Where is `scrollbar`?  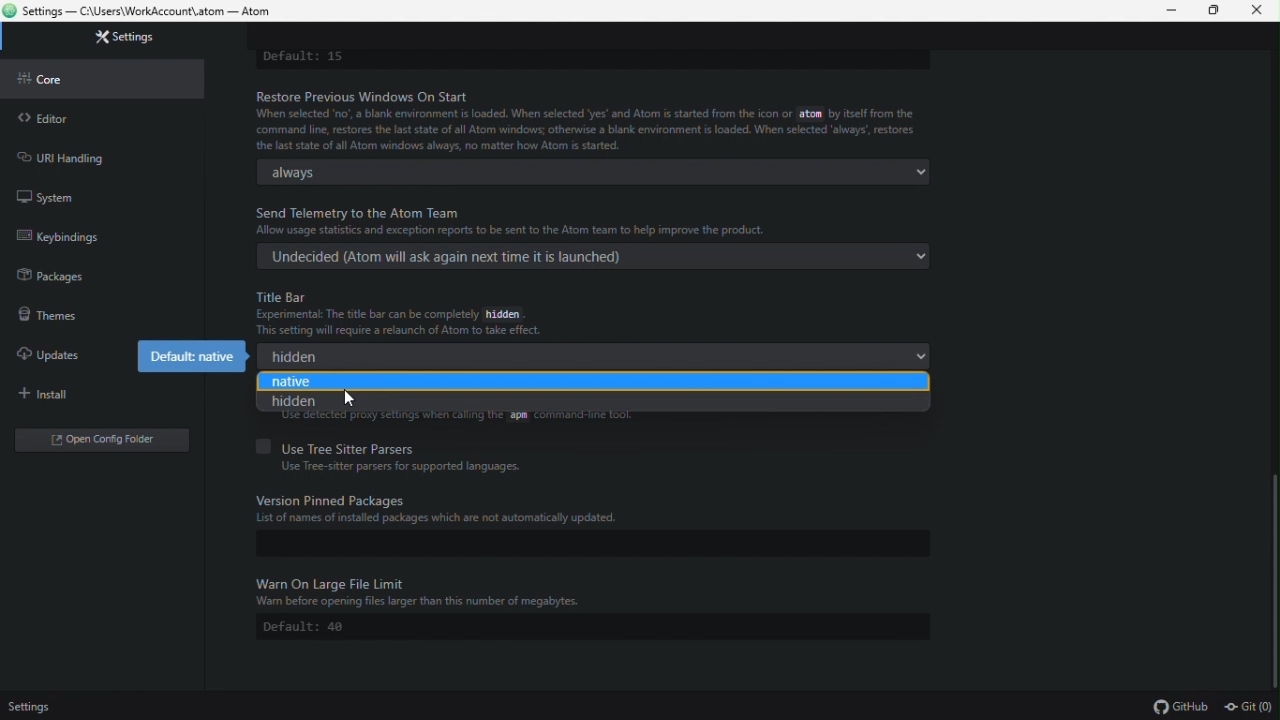
scrollbar is located at coordinates (1276, 582).